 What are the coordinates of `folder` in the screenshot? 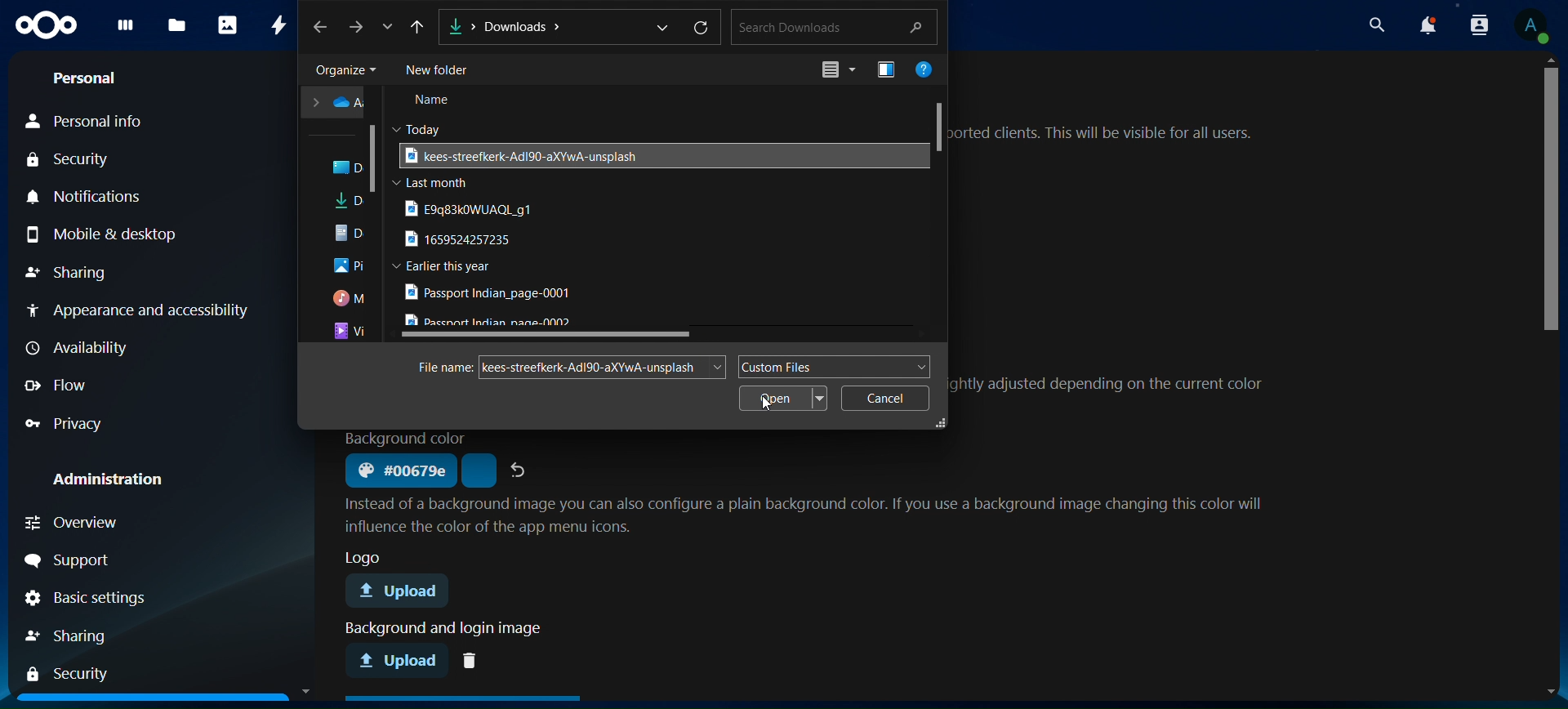 It's located at (350, 168).